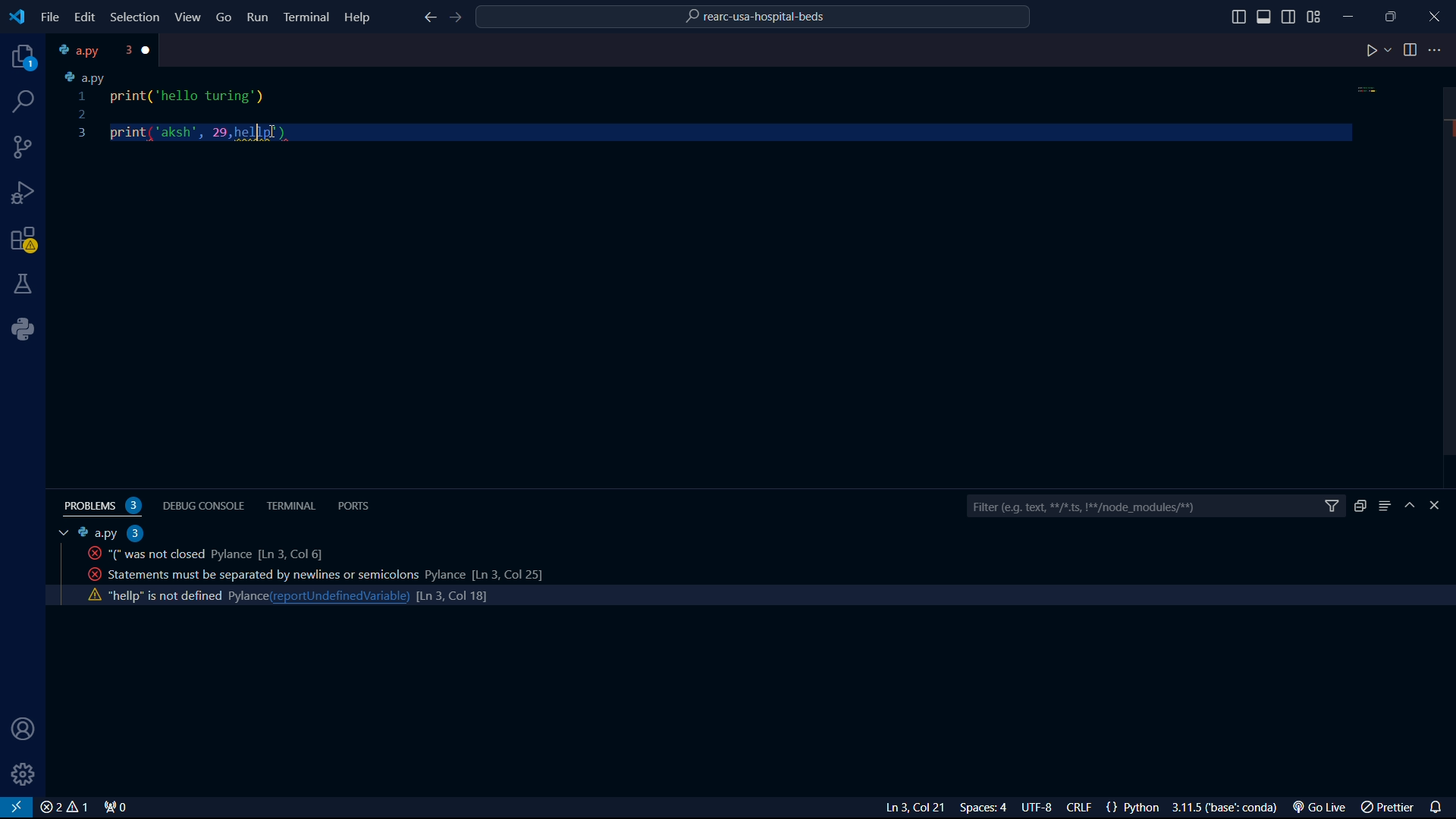 This screenshot has height=819, width=1456. Describe the element at coordinates (24, 774) in the screenshot. I see `settings` at that location.